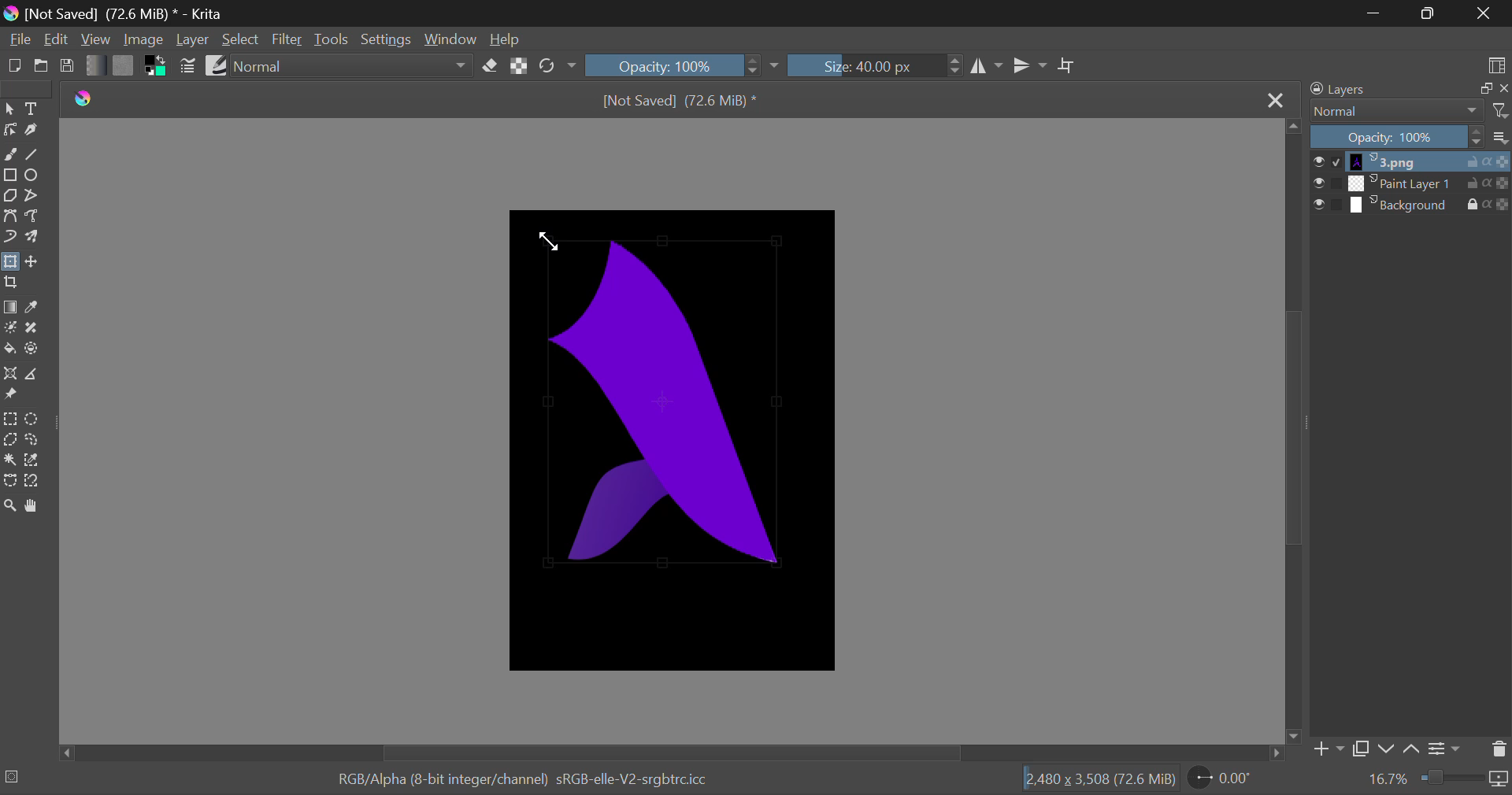 The image size is (1512, 795). What do you see at coordinates (36, 351) in the screenshot?
I see `Enclose and Fill` at bounding box center [36, 351].